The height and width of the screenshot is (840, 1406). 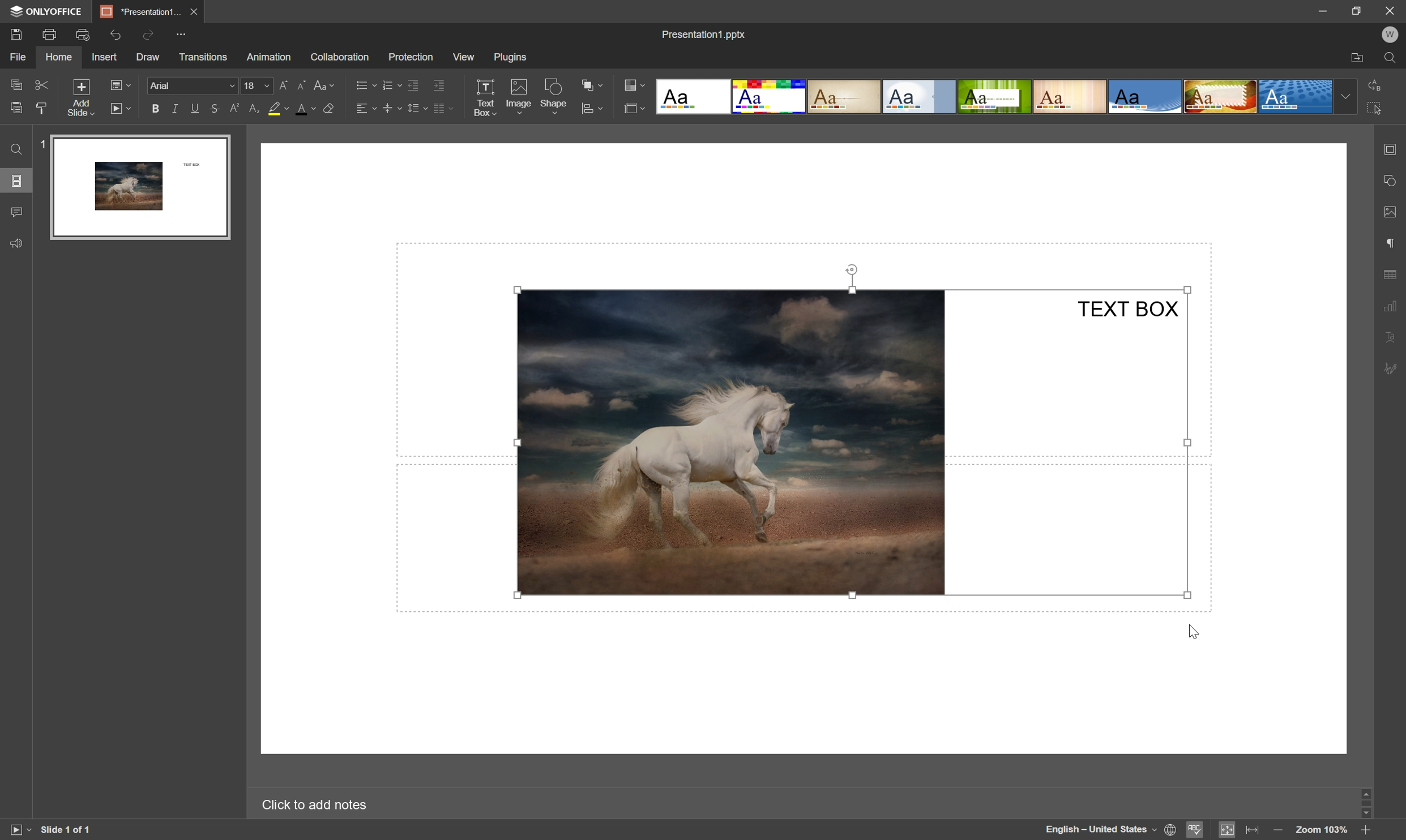 I want to click on slide 1 of 1, so click(x=67, y=830).